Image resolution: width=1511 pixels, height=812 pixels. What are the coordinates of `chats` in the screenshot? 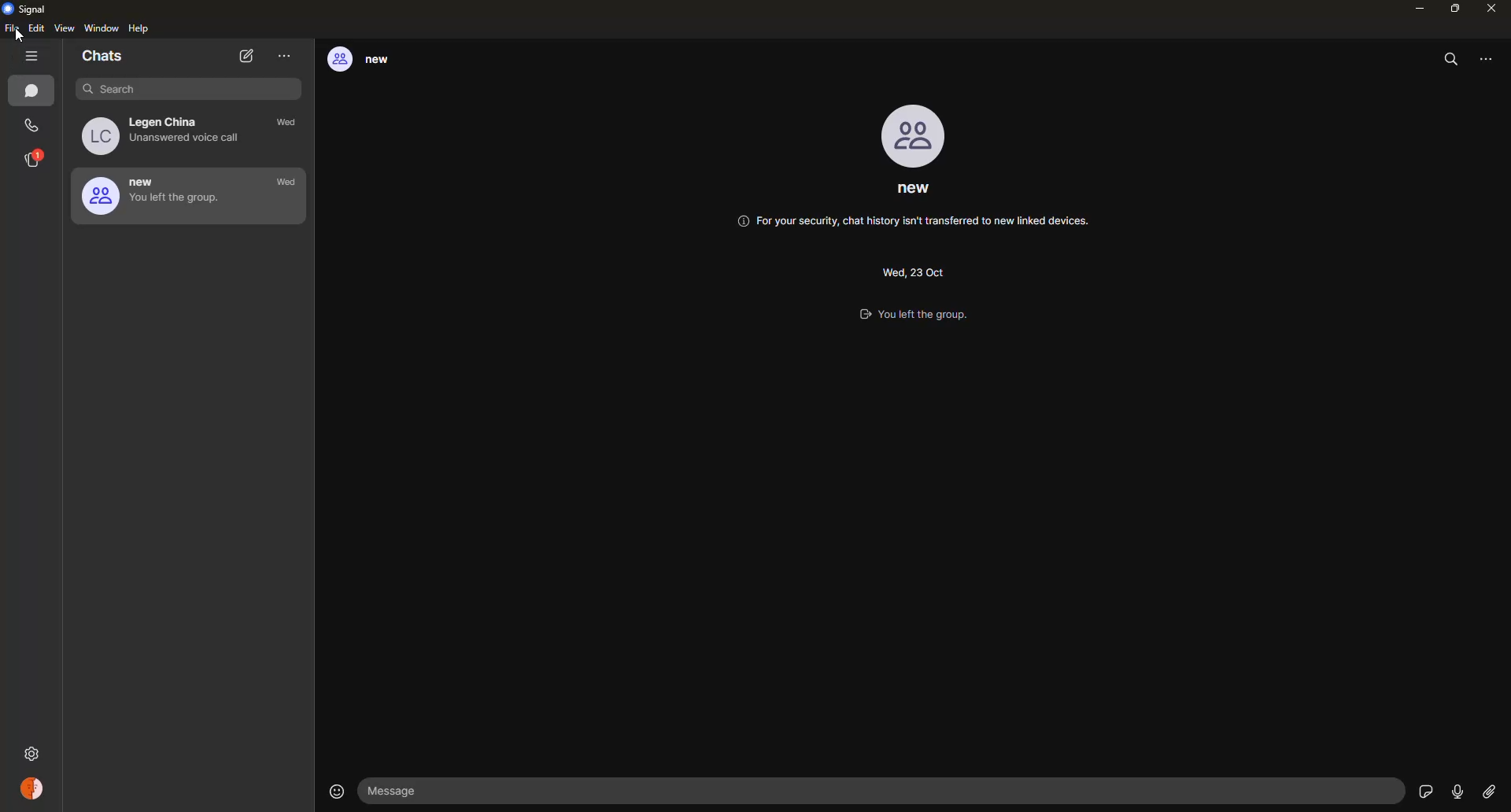 It's located at (104, 57).